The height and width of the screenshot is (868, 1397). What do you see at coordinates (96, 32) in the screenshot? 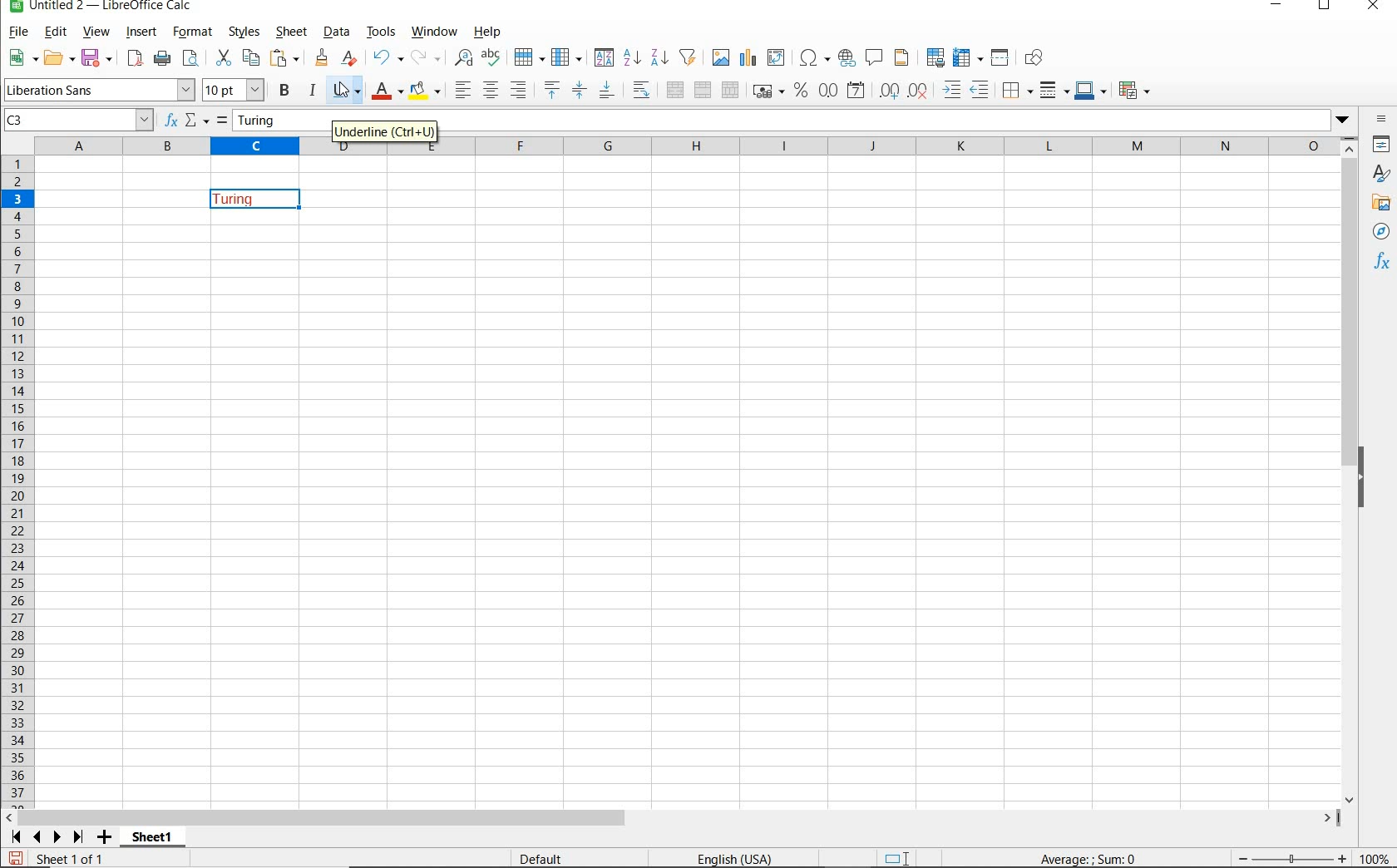
I see `VIEW` at bounding box center [96, 32].